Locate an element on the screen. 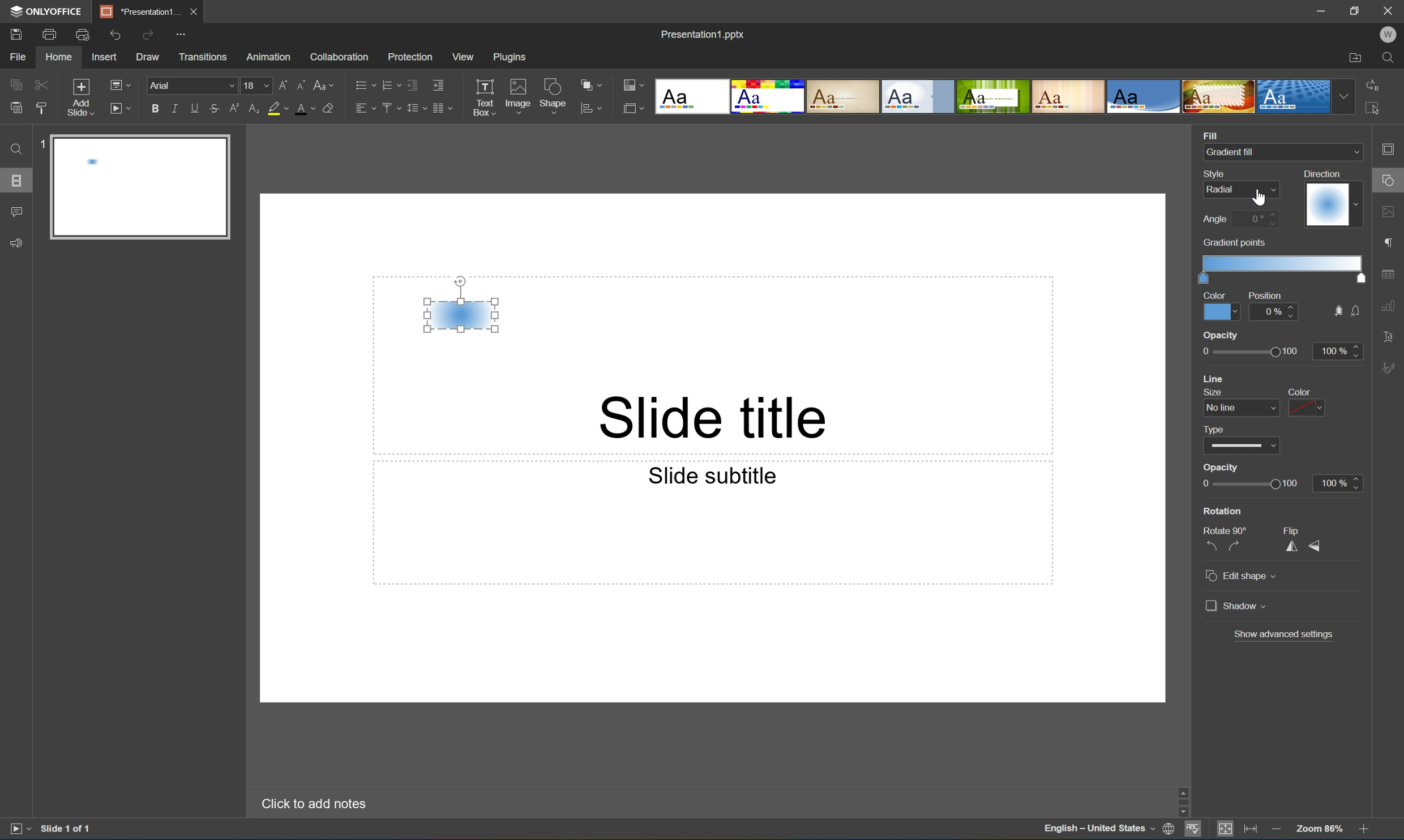 The height and width of the screenshot is (840, 1404). Scroll Down is located at coordinates (1363, 812).